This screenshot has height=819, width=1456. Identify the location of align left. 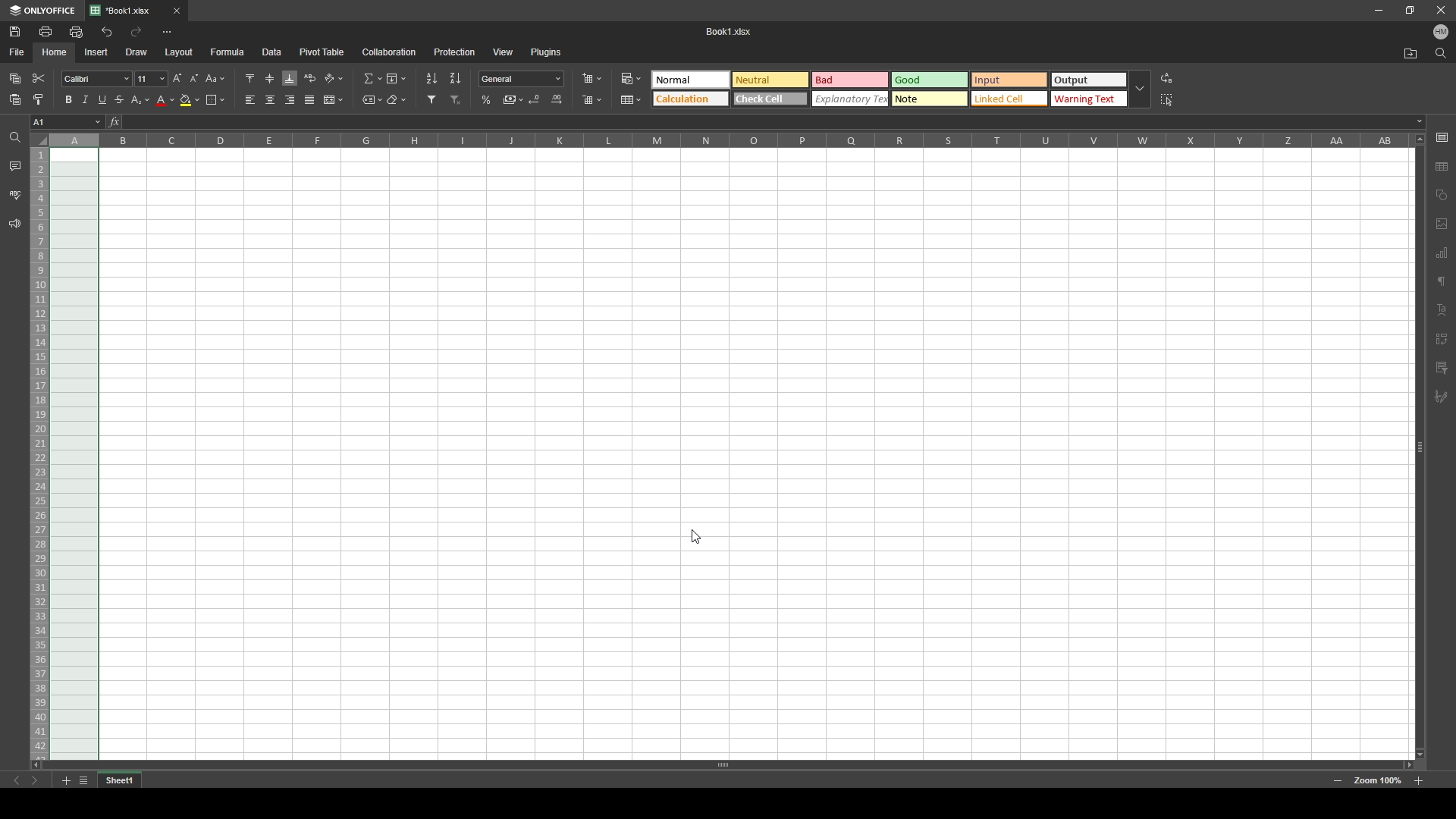
(249, 100).